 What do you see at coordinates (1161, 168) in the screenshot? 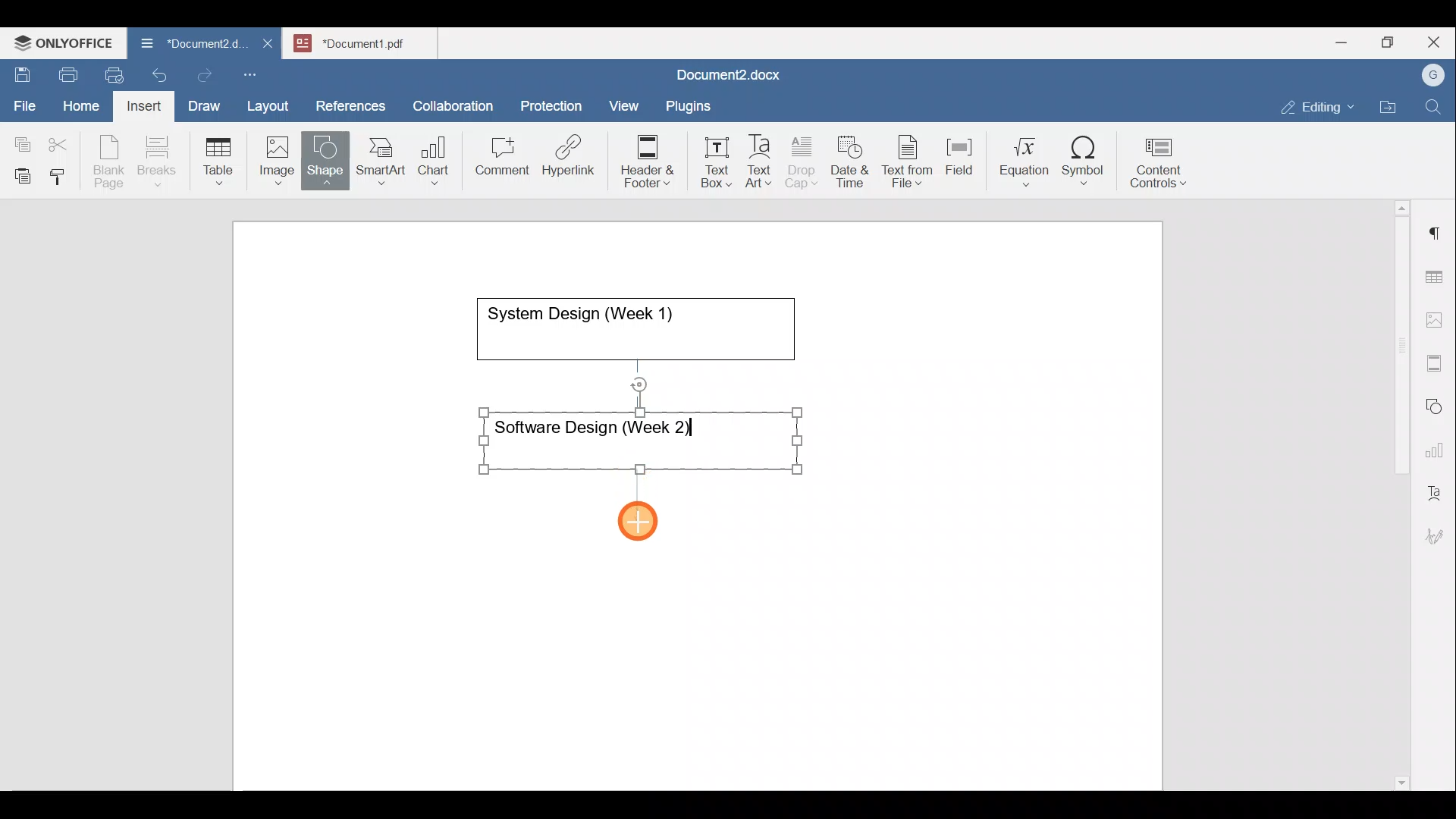
I see `Content controls` at bounding box center [1161, 168].